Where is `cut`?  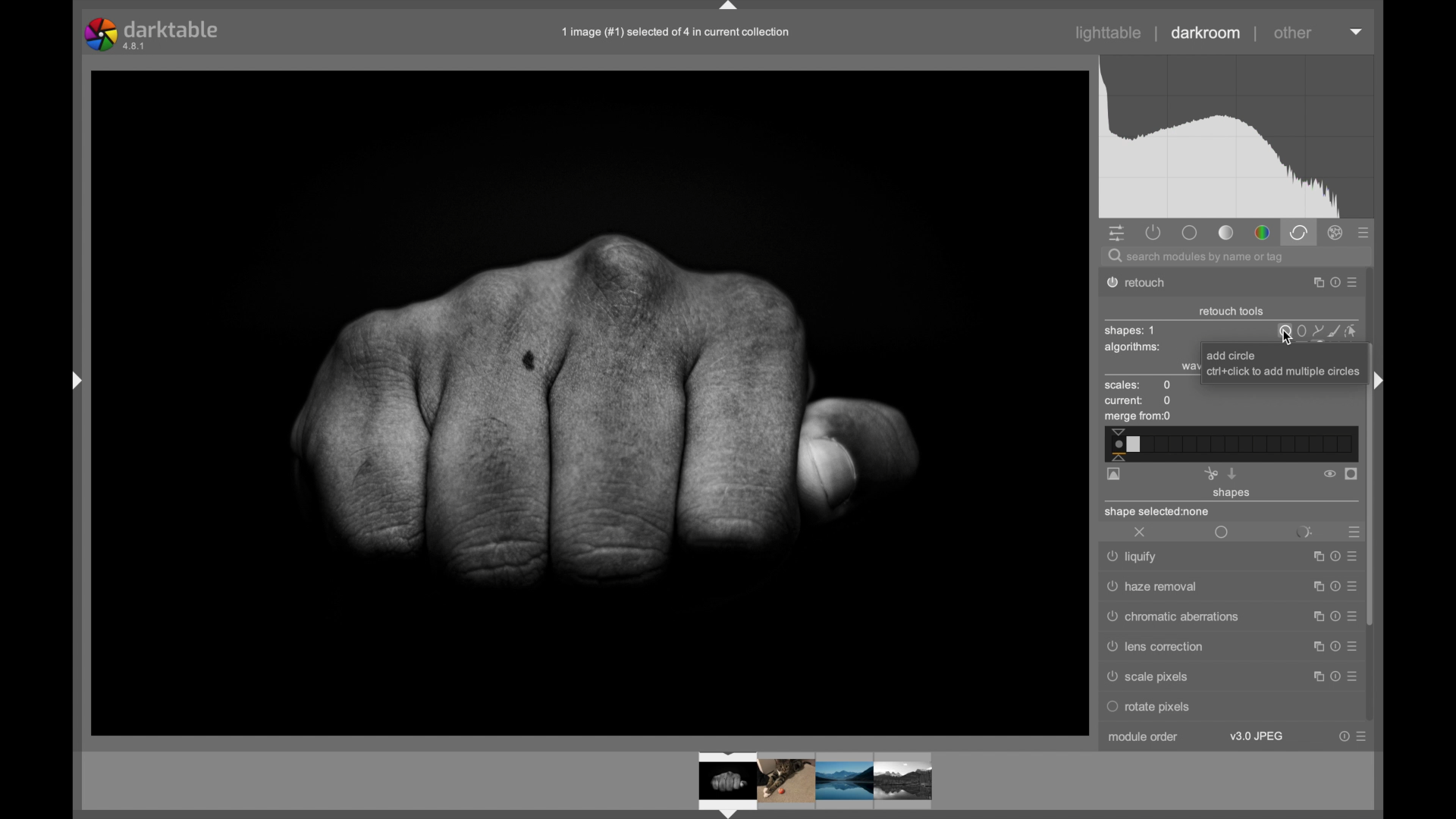
cut is located at coordinates (1210, 473).